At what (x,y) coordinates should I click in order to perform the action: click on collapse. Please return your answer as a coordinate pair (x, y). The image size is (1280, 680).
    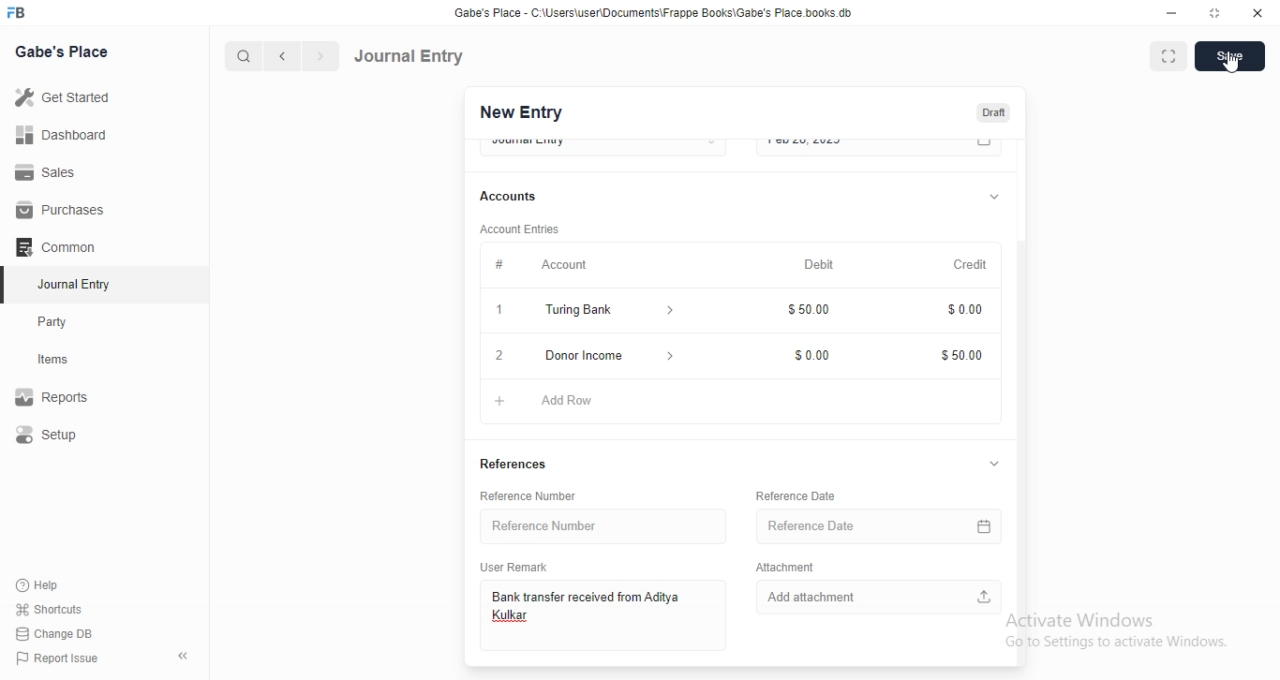
    Looking at the image, I should click on (994, 465).